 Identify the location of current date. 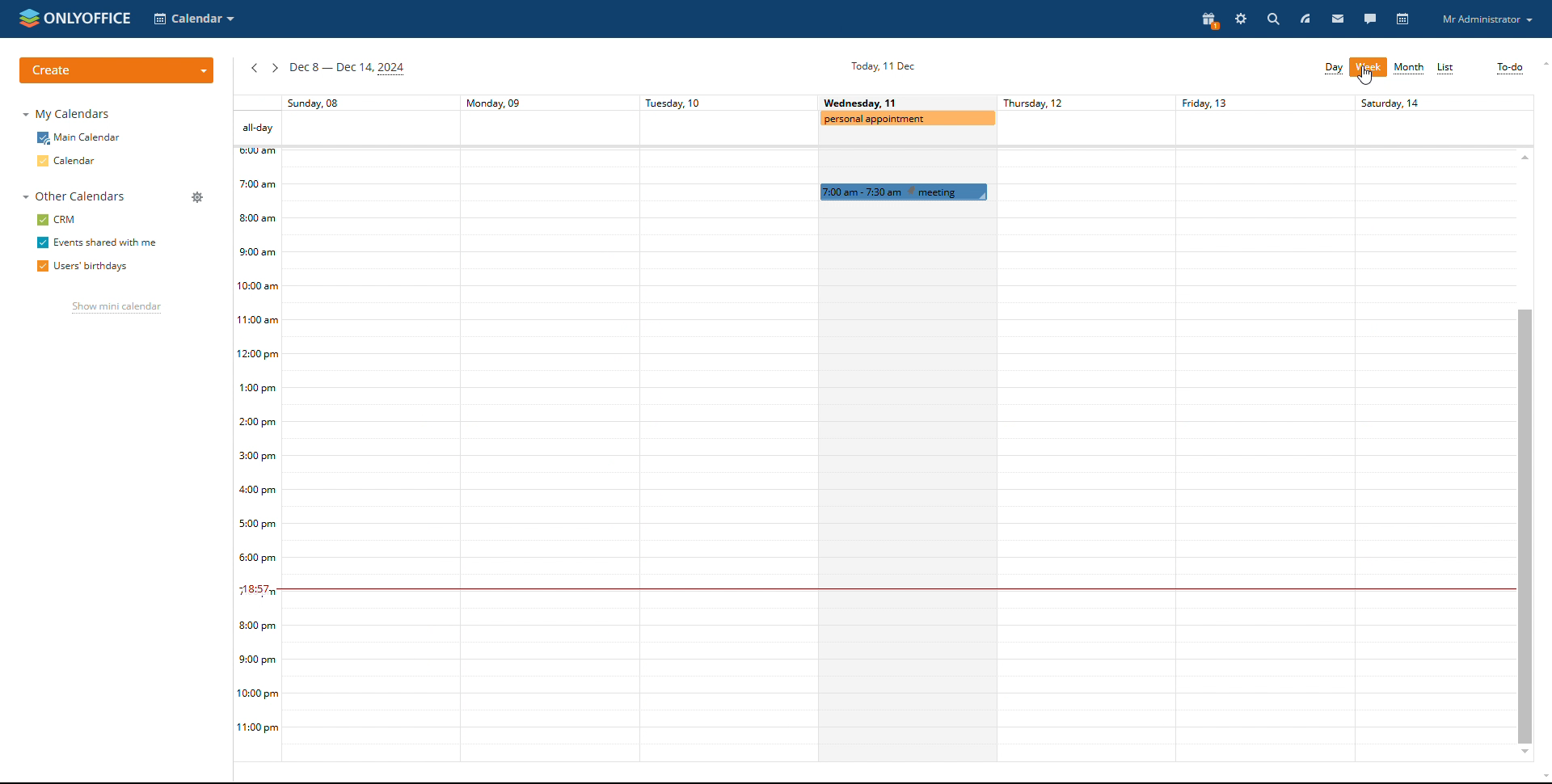
(881, 65).